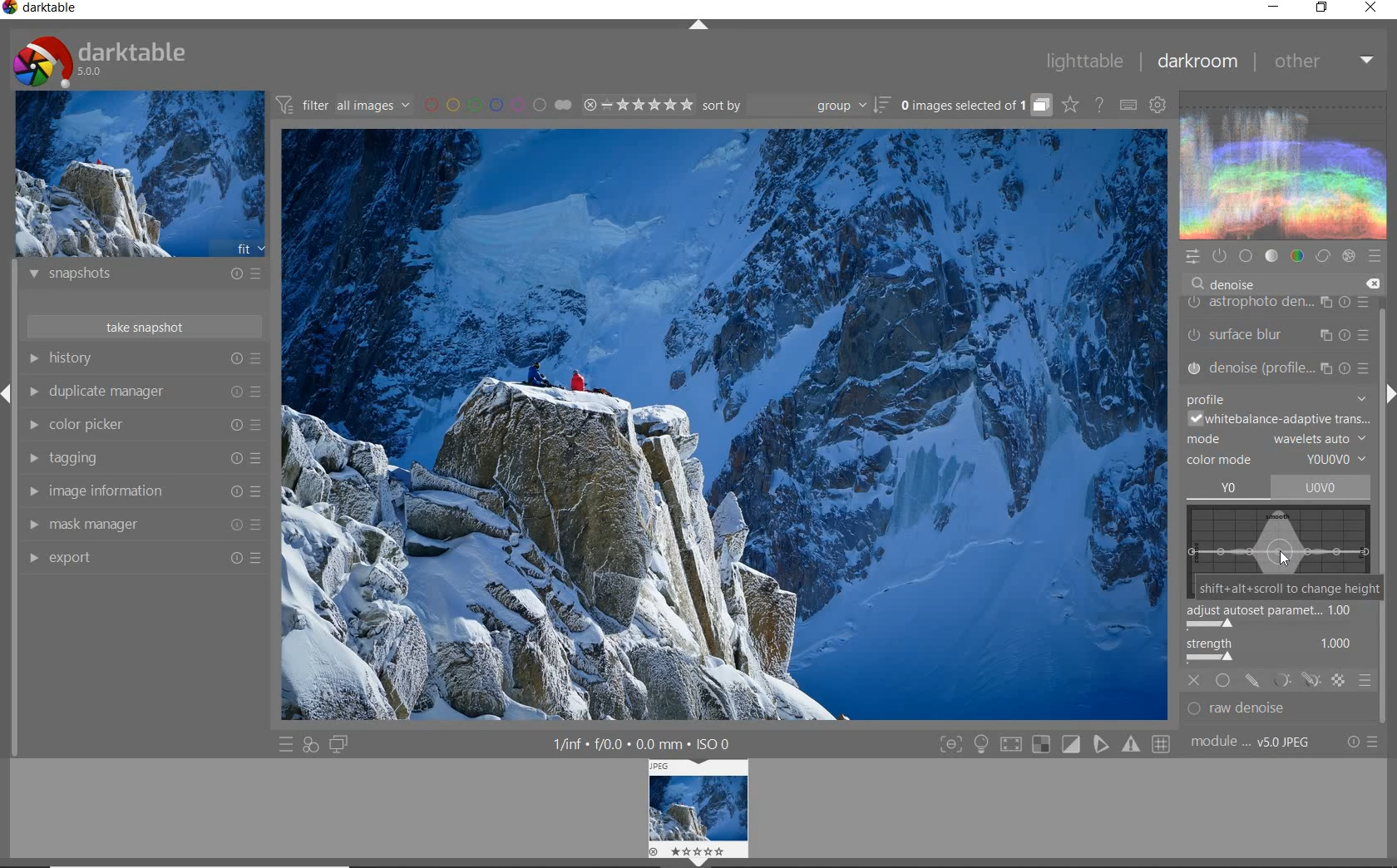 The image size is (1397, 868). Describe the element at coordinates (1229, 489) in the screenshot. I see `YO` at that location.